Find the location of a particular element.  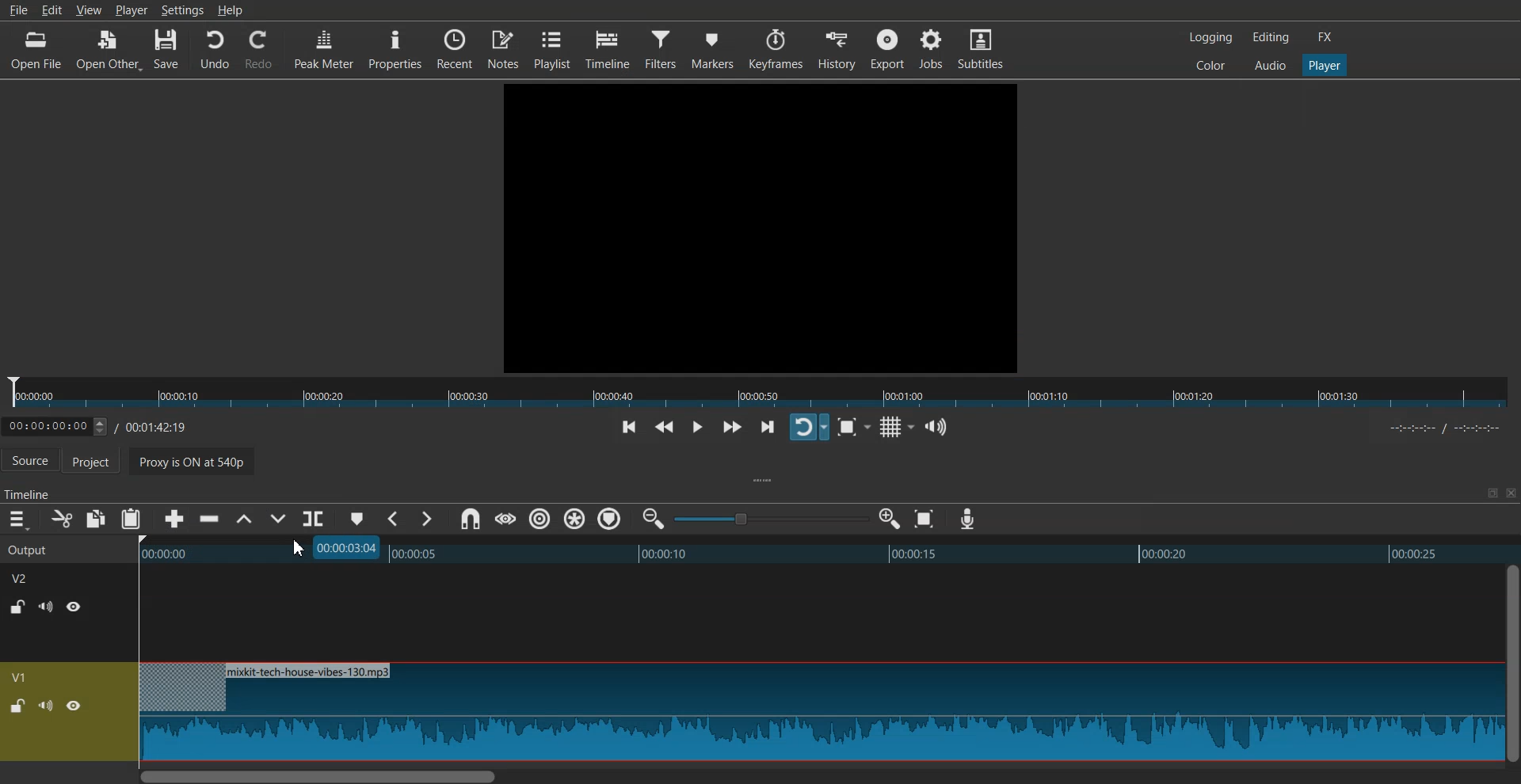

Mute is located at coordinates (46, 607).